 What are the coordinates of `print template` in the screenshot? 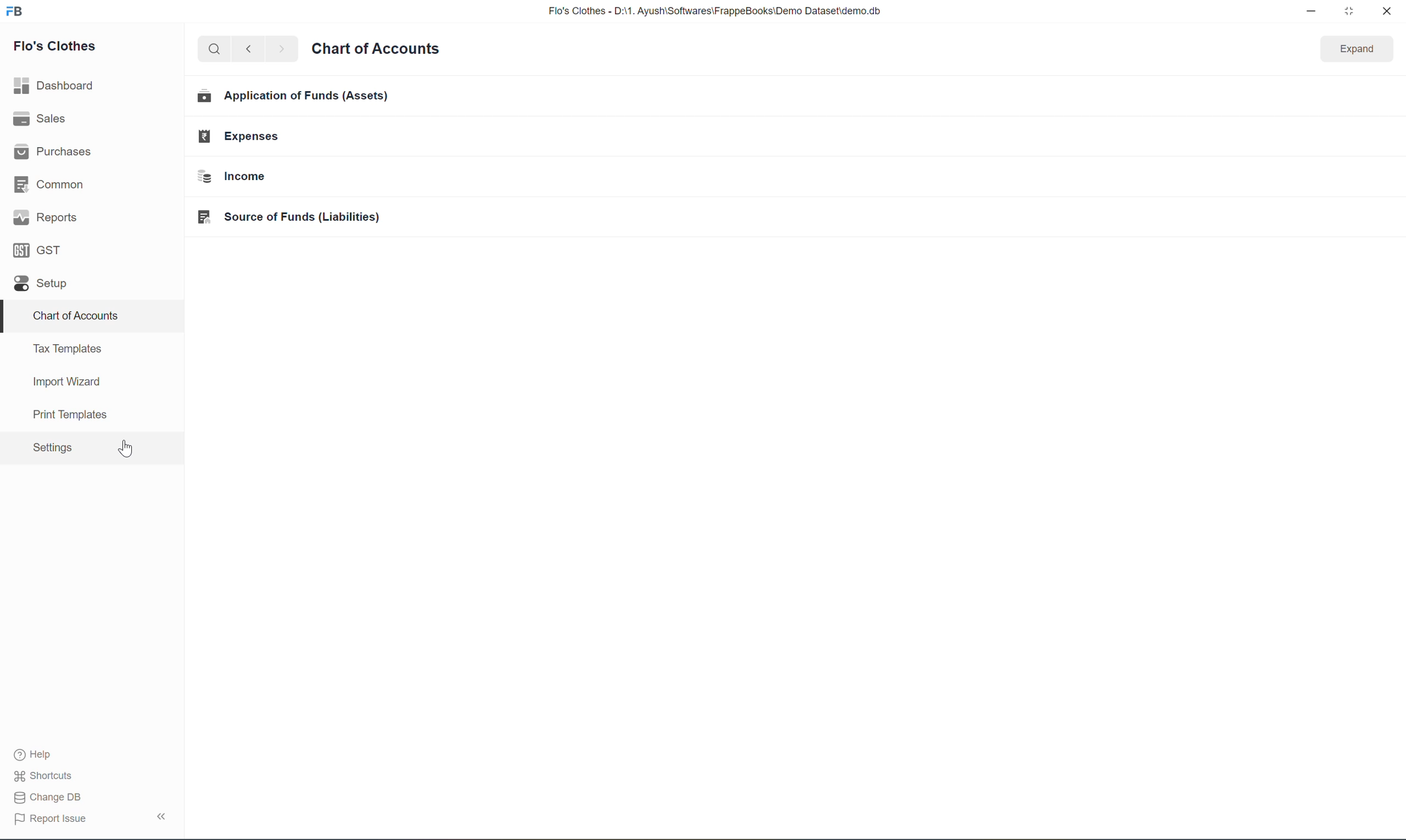 It's located at (63, 417).